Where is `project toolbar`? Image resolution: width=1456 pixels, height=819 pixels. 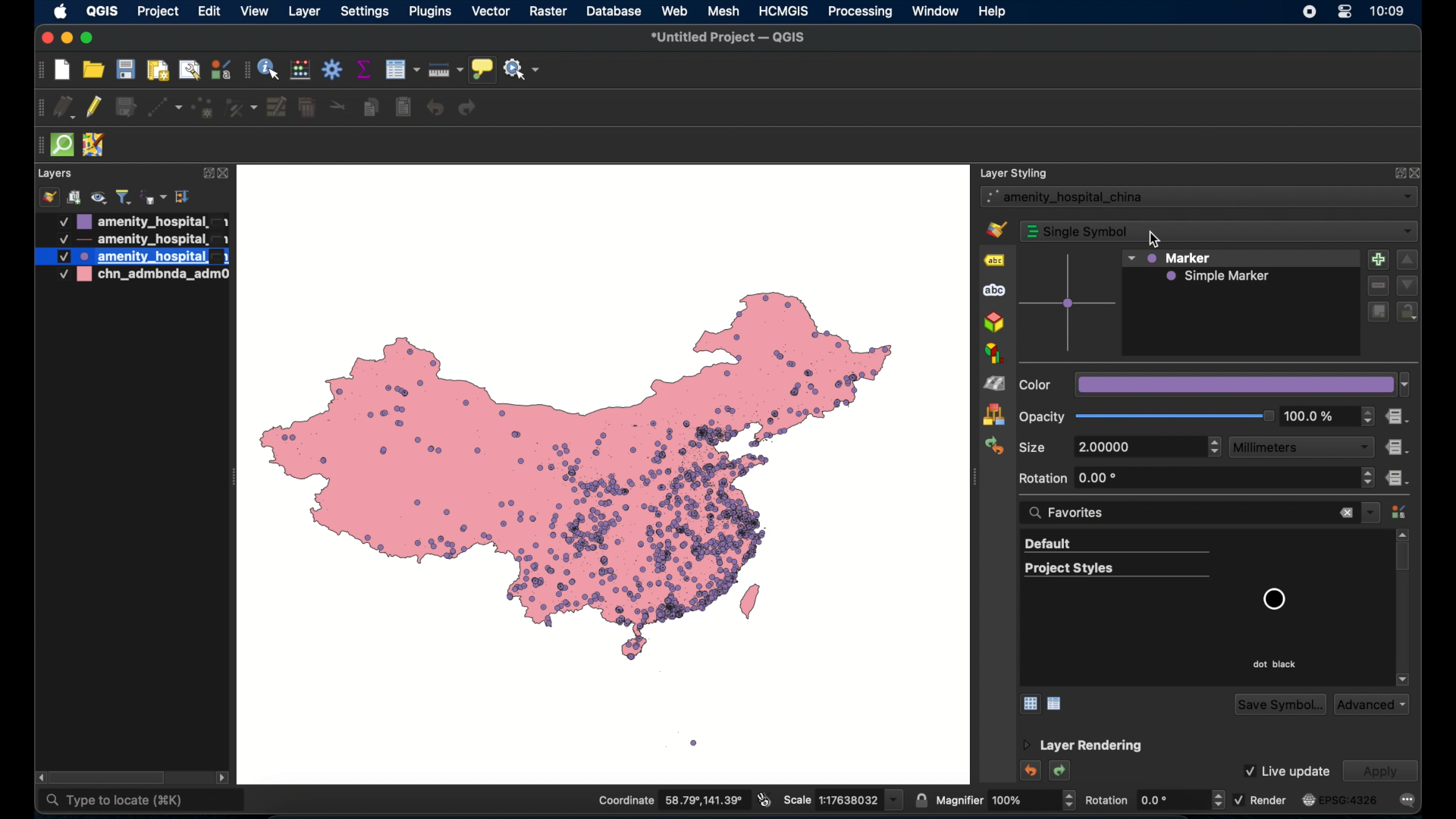
project toolbar is located at coordinates (40, 71).